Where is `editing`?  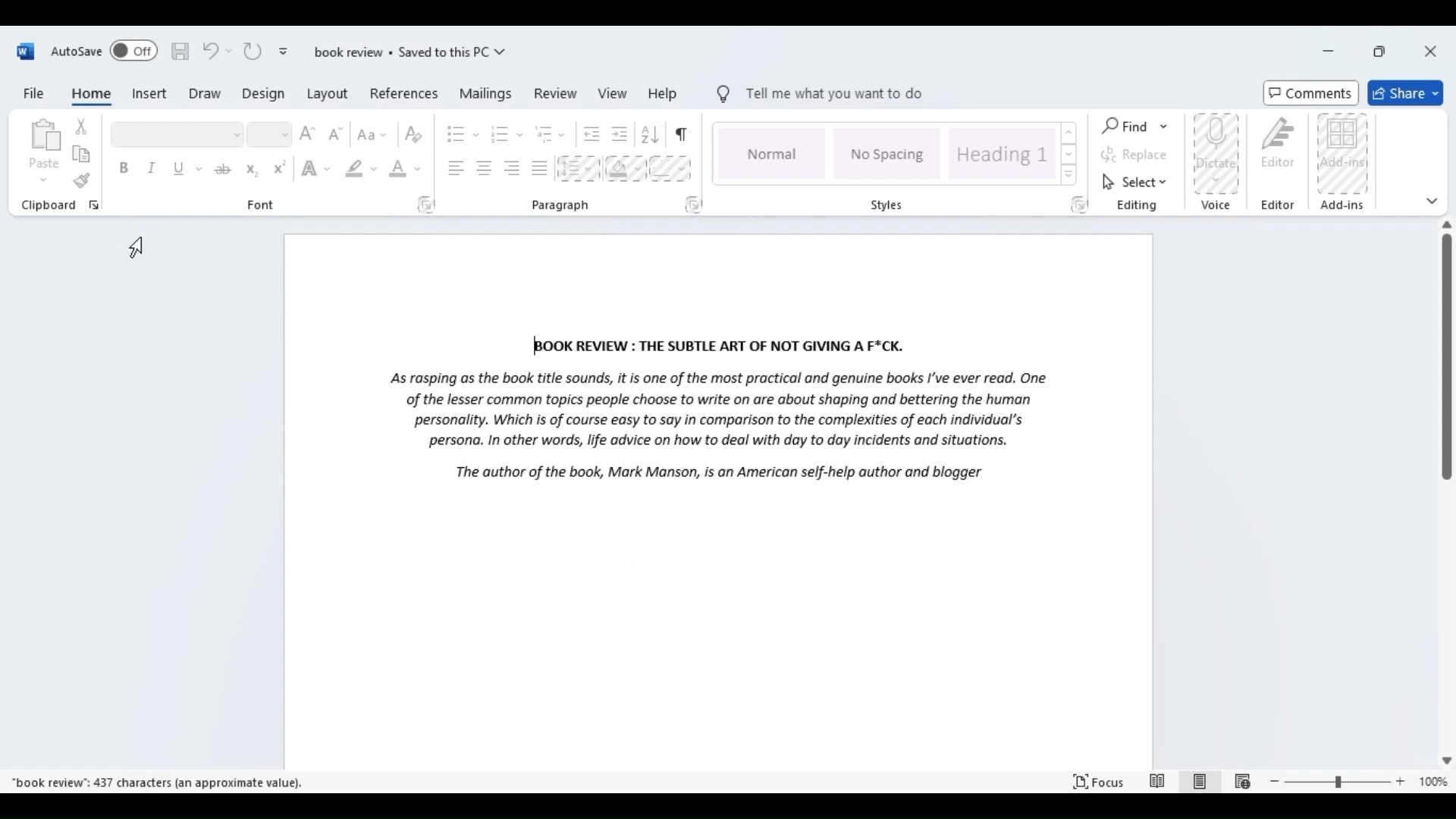 editing is located at coordinates (1136, 165).